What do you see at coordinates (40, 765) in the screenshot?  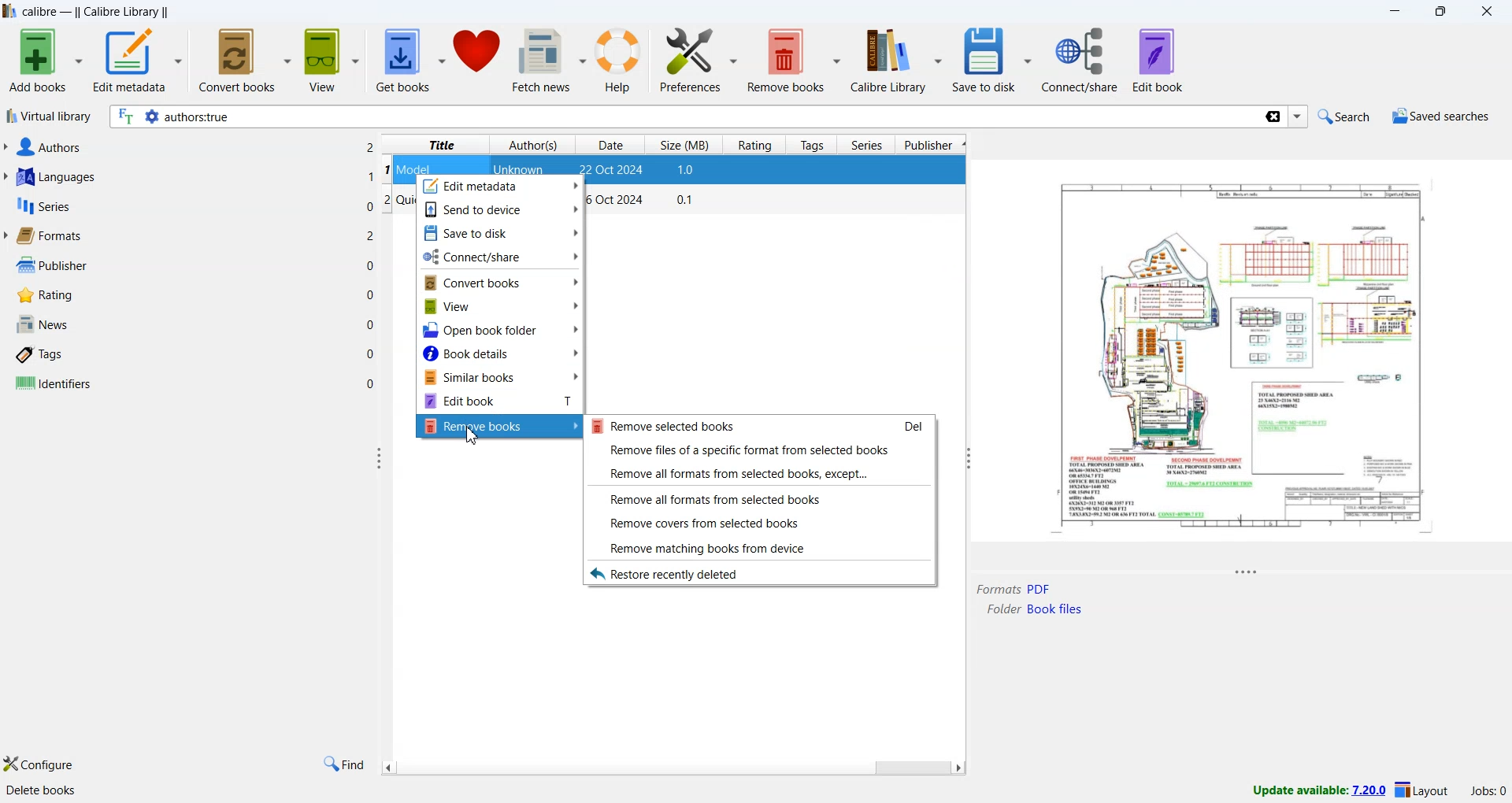 I see `configure` at bounding box center [40, 765].